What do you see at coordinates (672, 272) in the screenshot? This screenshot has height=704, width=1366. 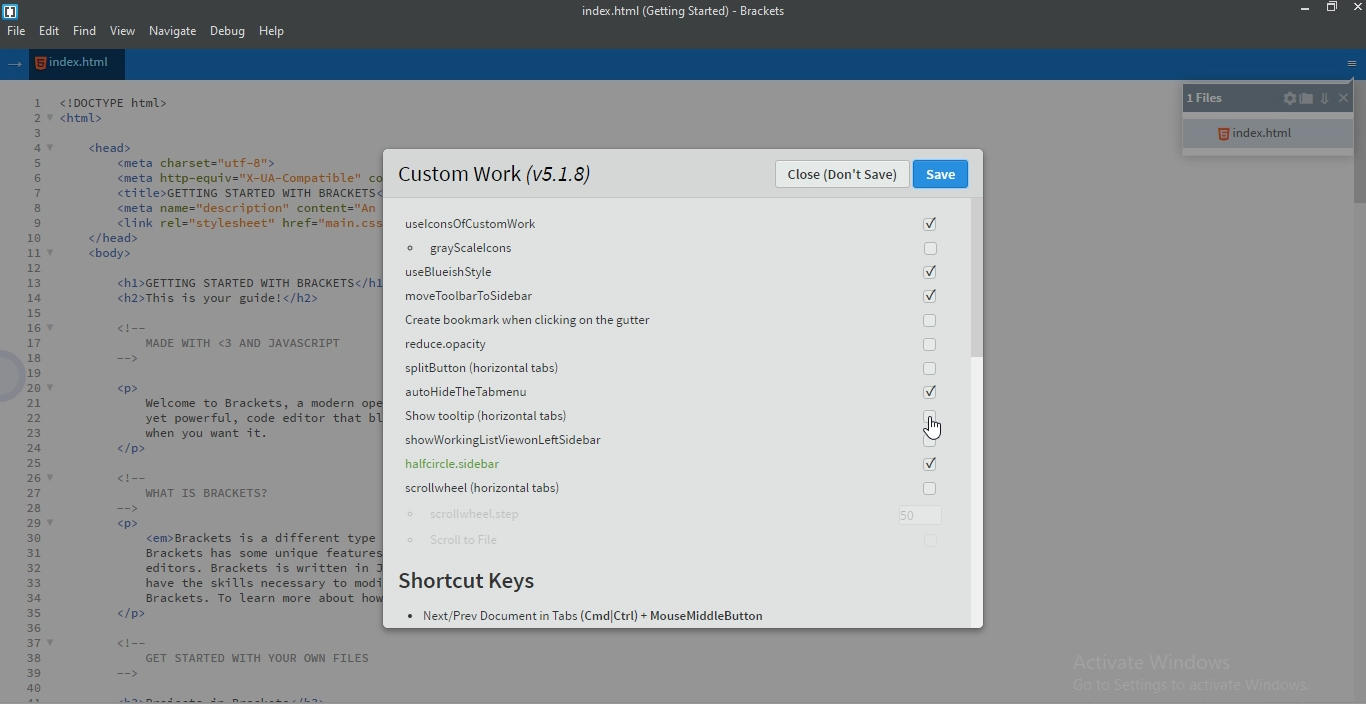 I see `useBlueish Style` at bounding box center [672, 272].